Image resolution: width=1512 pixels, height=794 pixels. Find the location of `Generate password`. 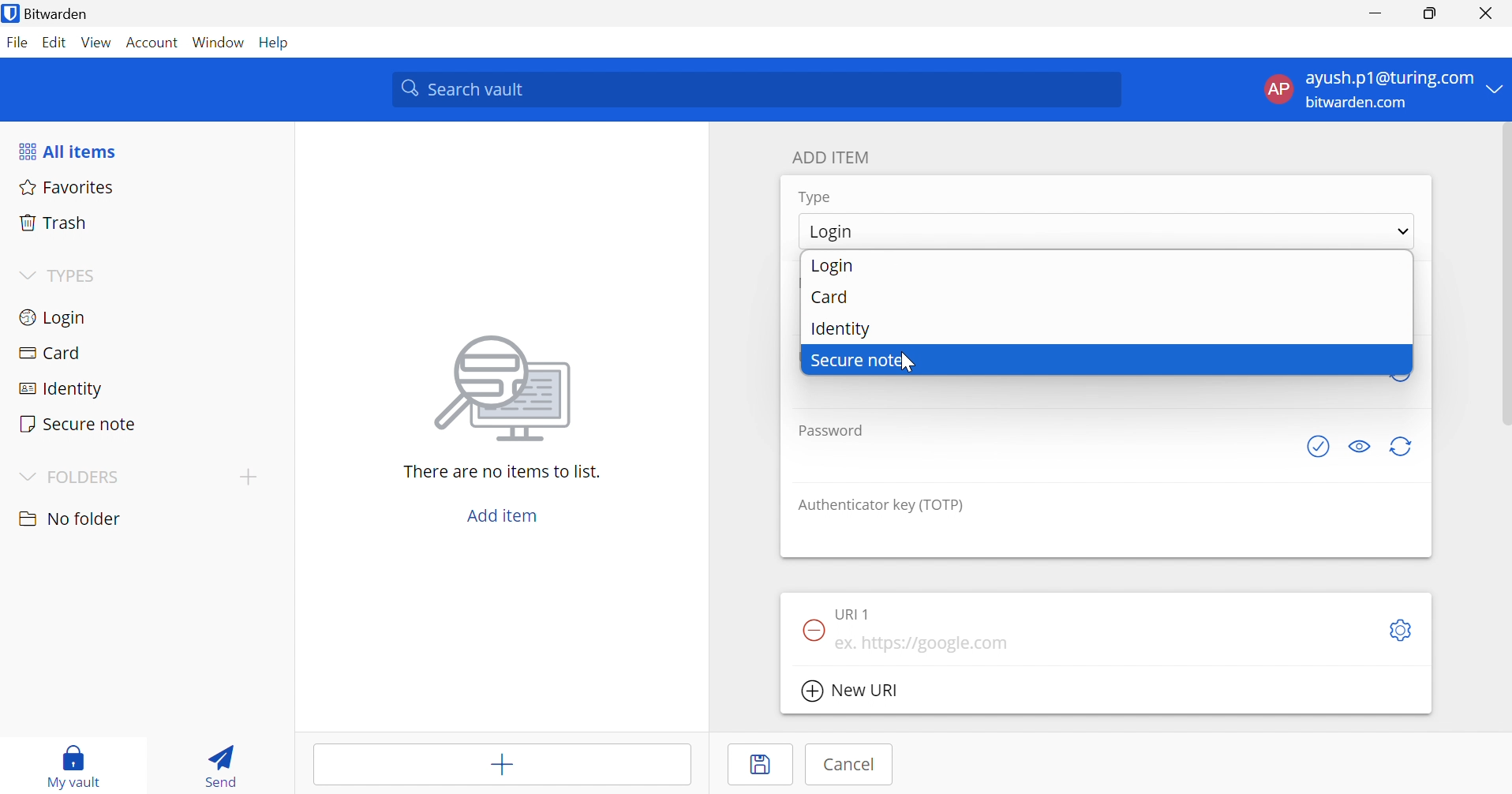

Generate password is located at coordinates (1402, 448).